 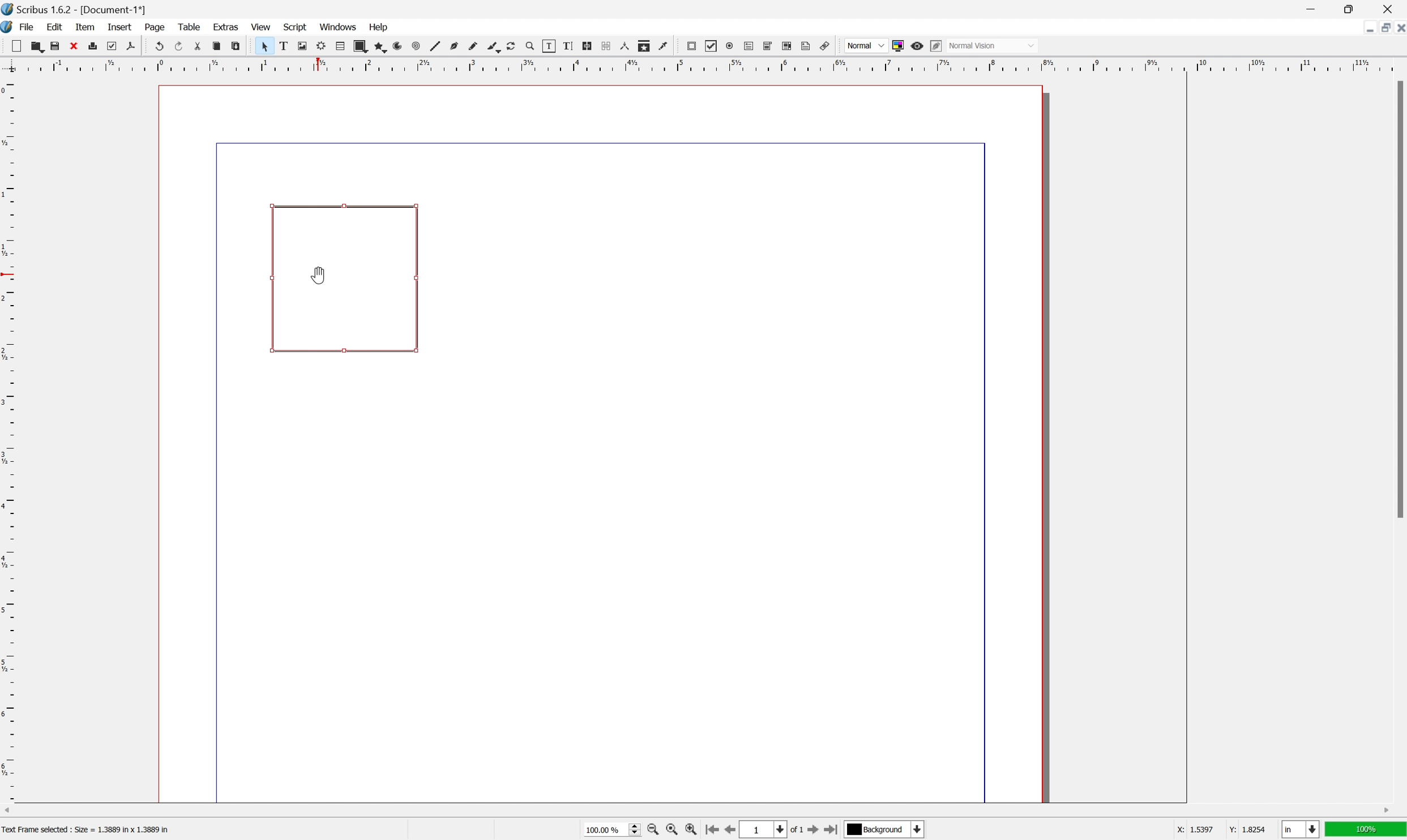 I want to click on restore down, so click(x=1353, y=8).